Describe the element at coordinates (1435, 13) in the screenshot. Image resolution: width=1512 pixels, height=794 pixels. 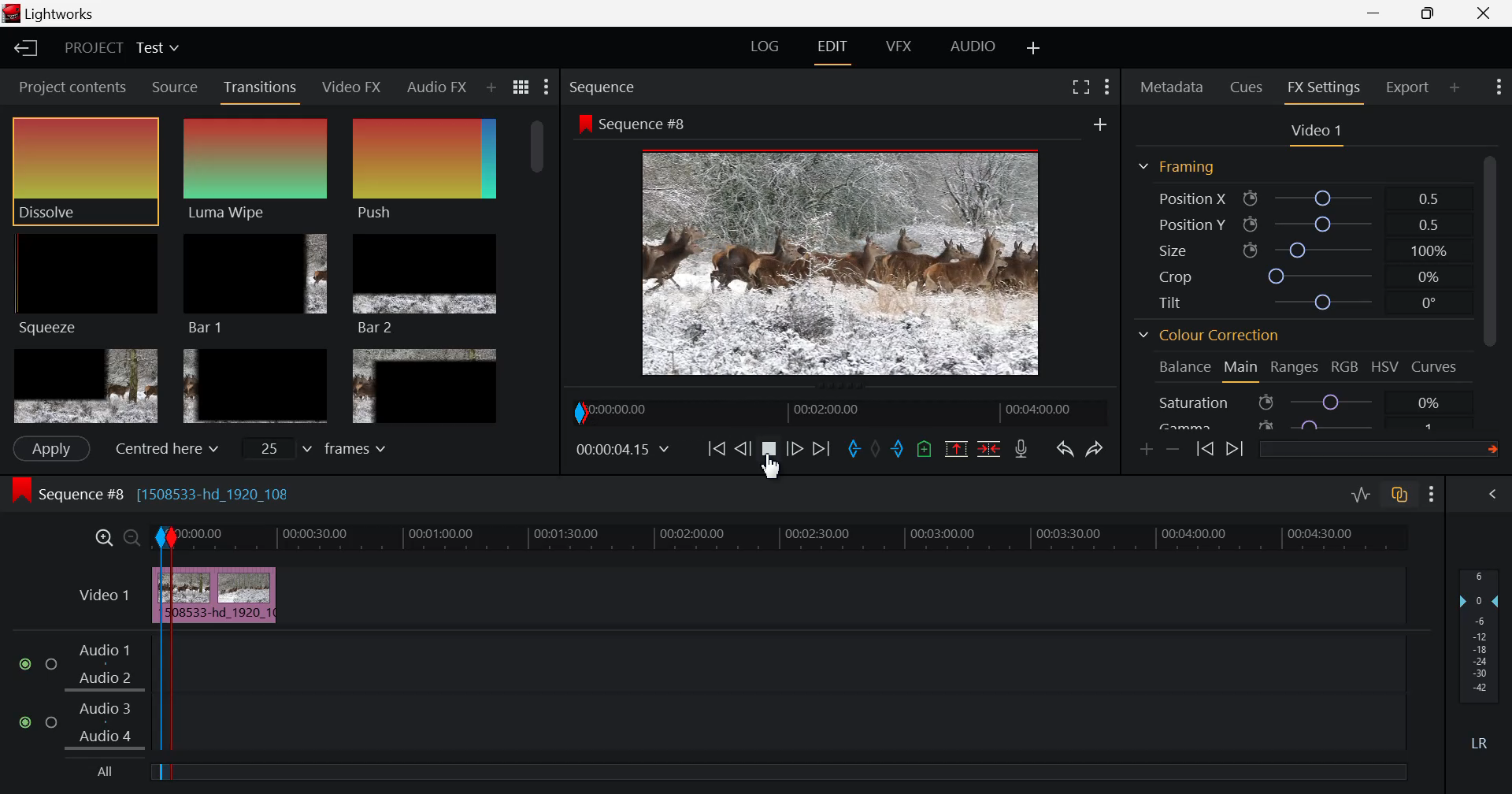
I see `Minimize` at that location.